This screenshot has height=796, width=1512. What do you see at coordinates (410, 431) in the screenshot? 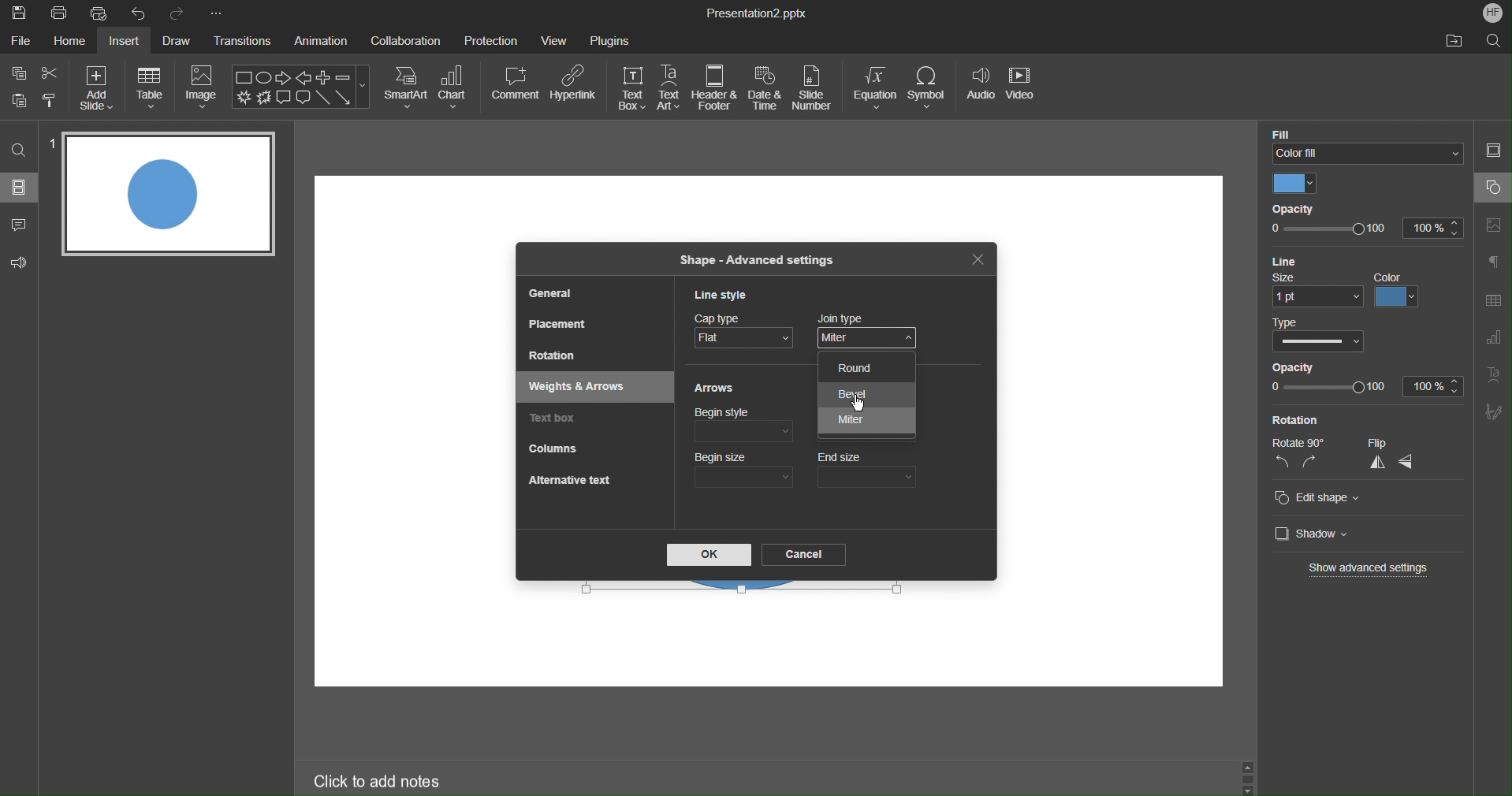
I see `workspace` at bounding box center [410, 431].